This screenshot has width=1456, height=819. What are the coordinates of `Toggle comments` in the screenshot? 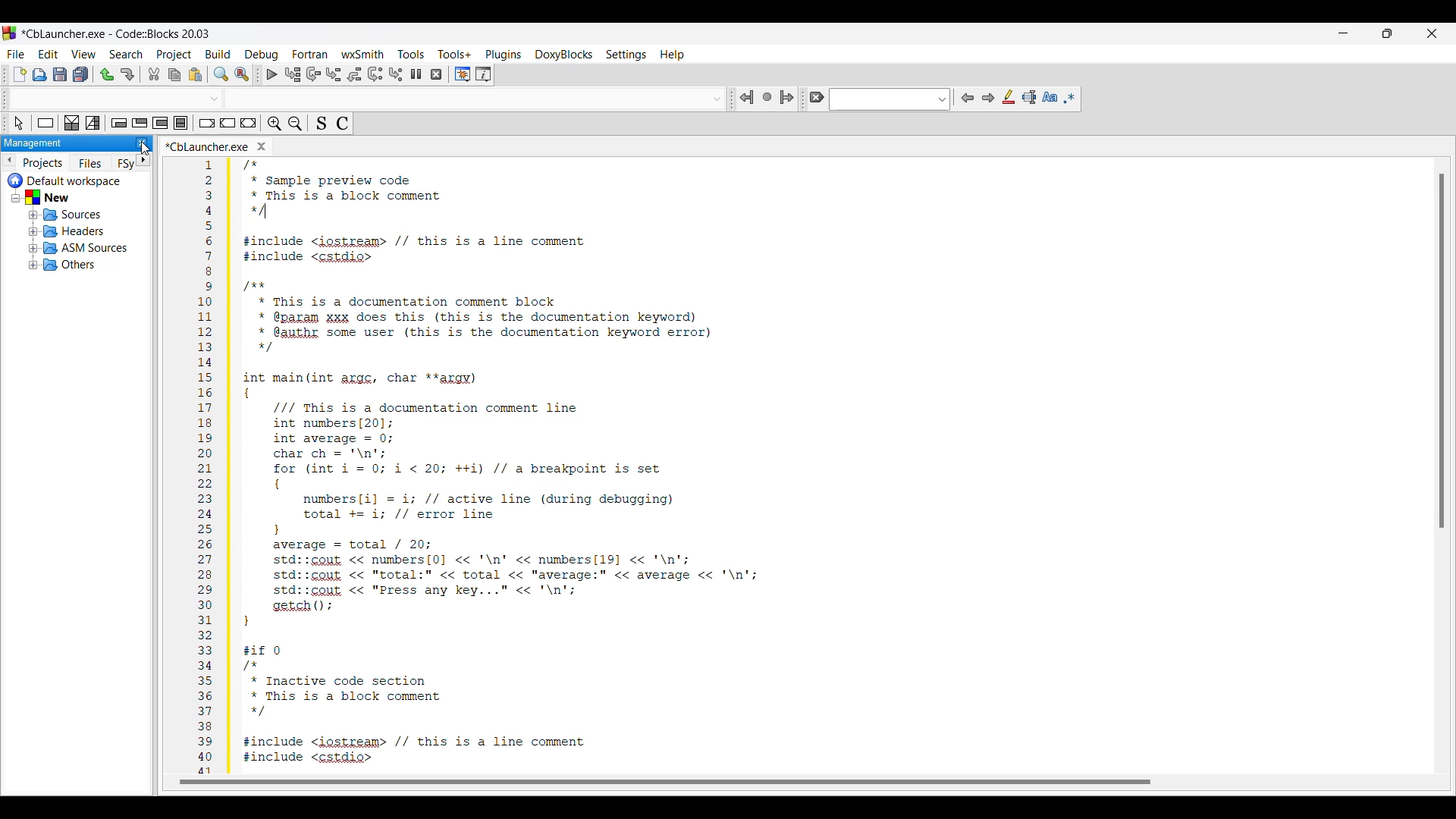 It's located at (343, 124).